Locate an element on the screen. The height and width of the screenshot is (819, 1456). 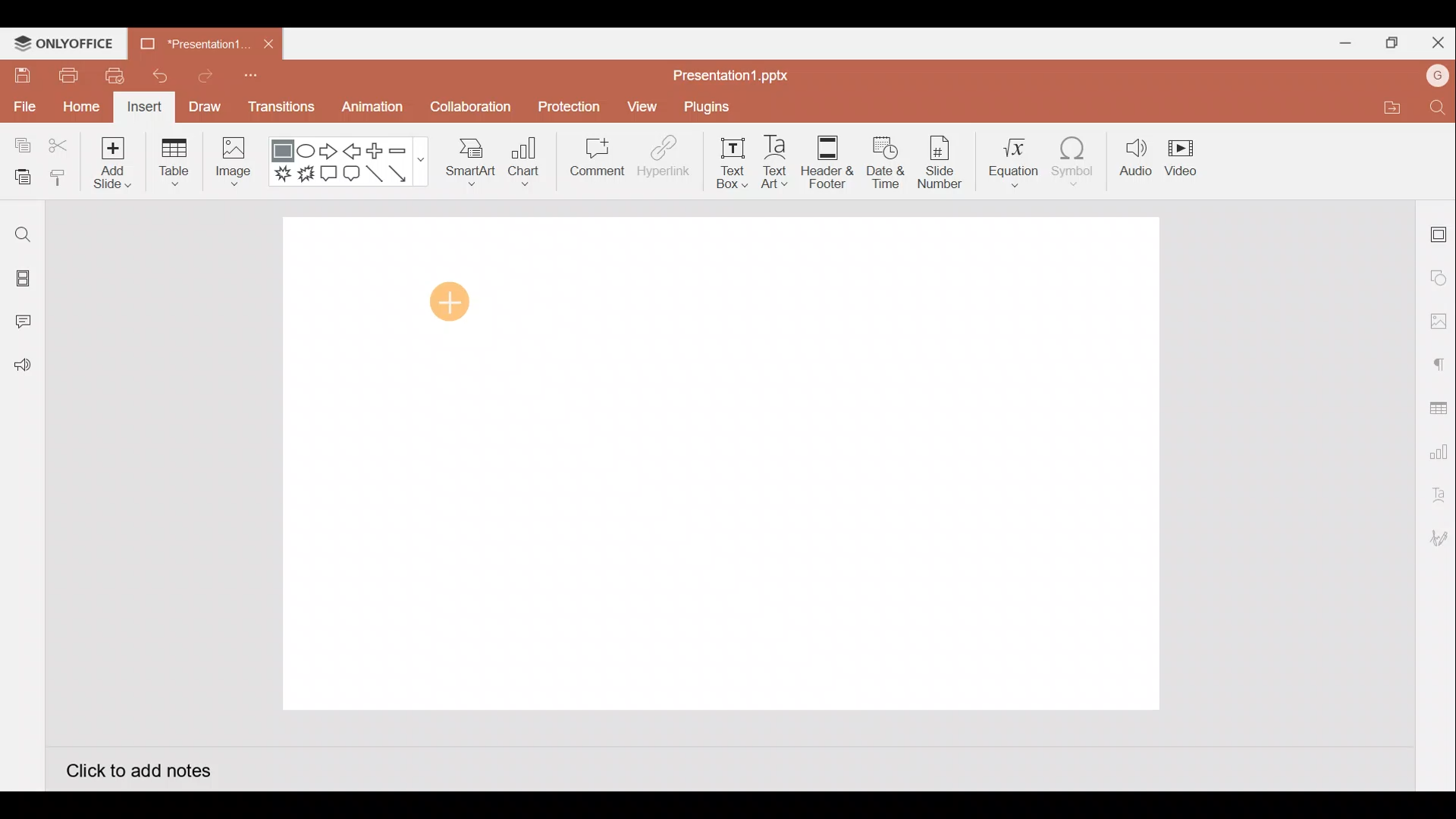
Add slide is located at coordinates (110, 159).